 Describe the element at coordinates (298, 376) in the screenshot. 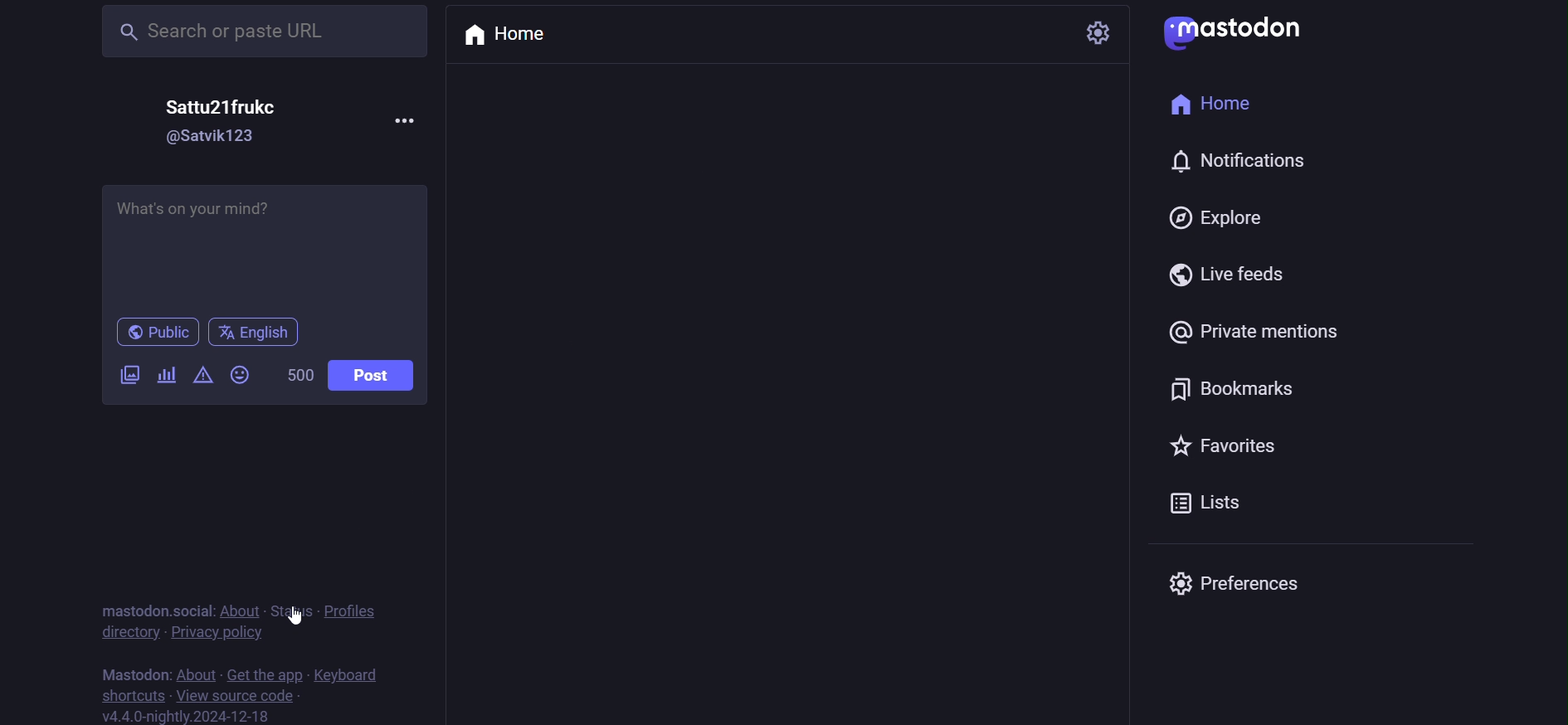

I see `word limit` at that location.